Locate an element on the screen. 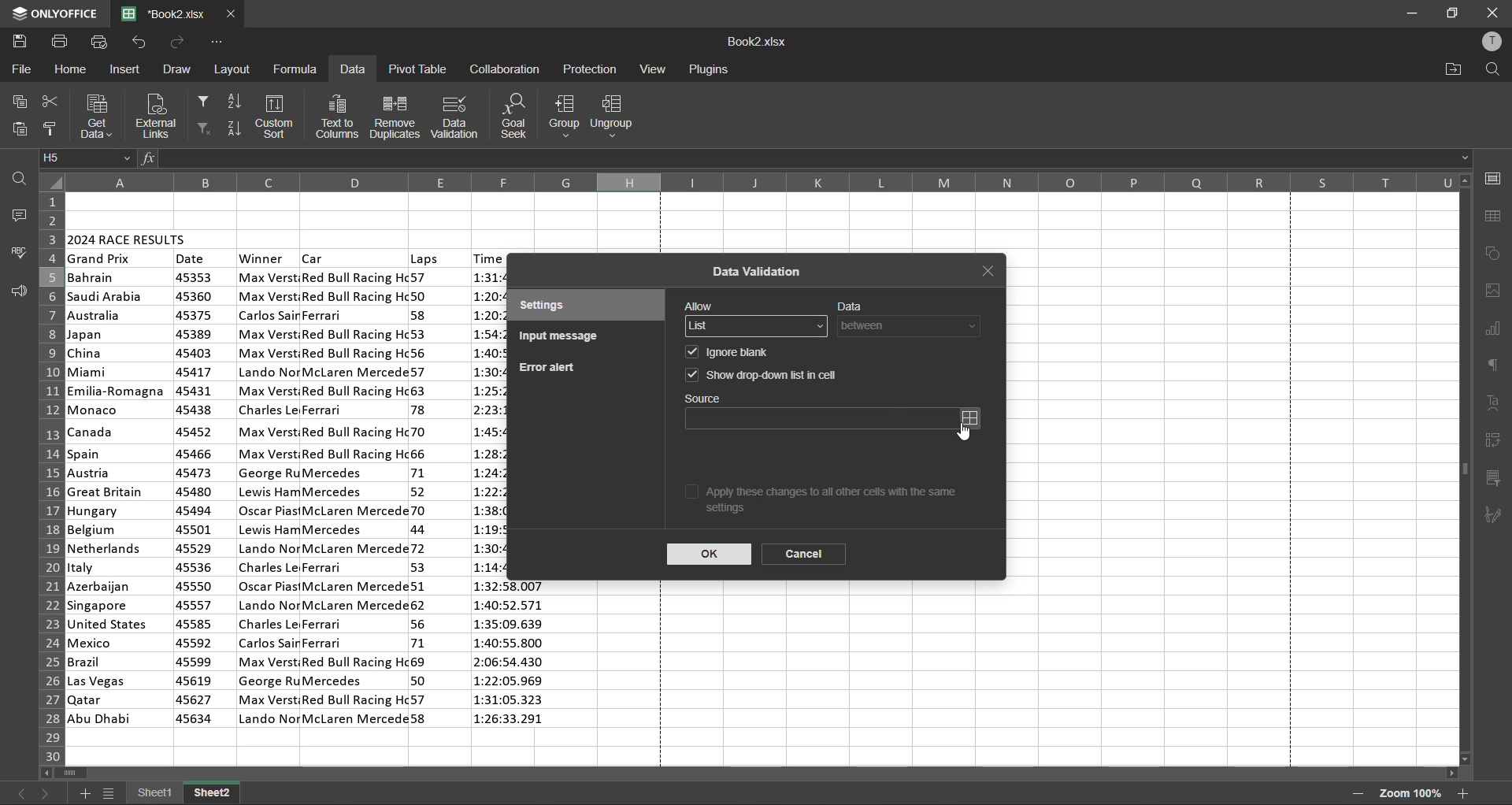 The image size is (1512, 805). copy is located at coordinates (18, 103).